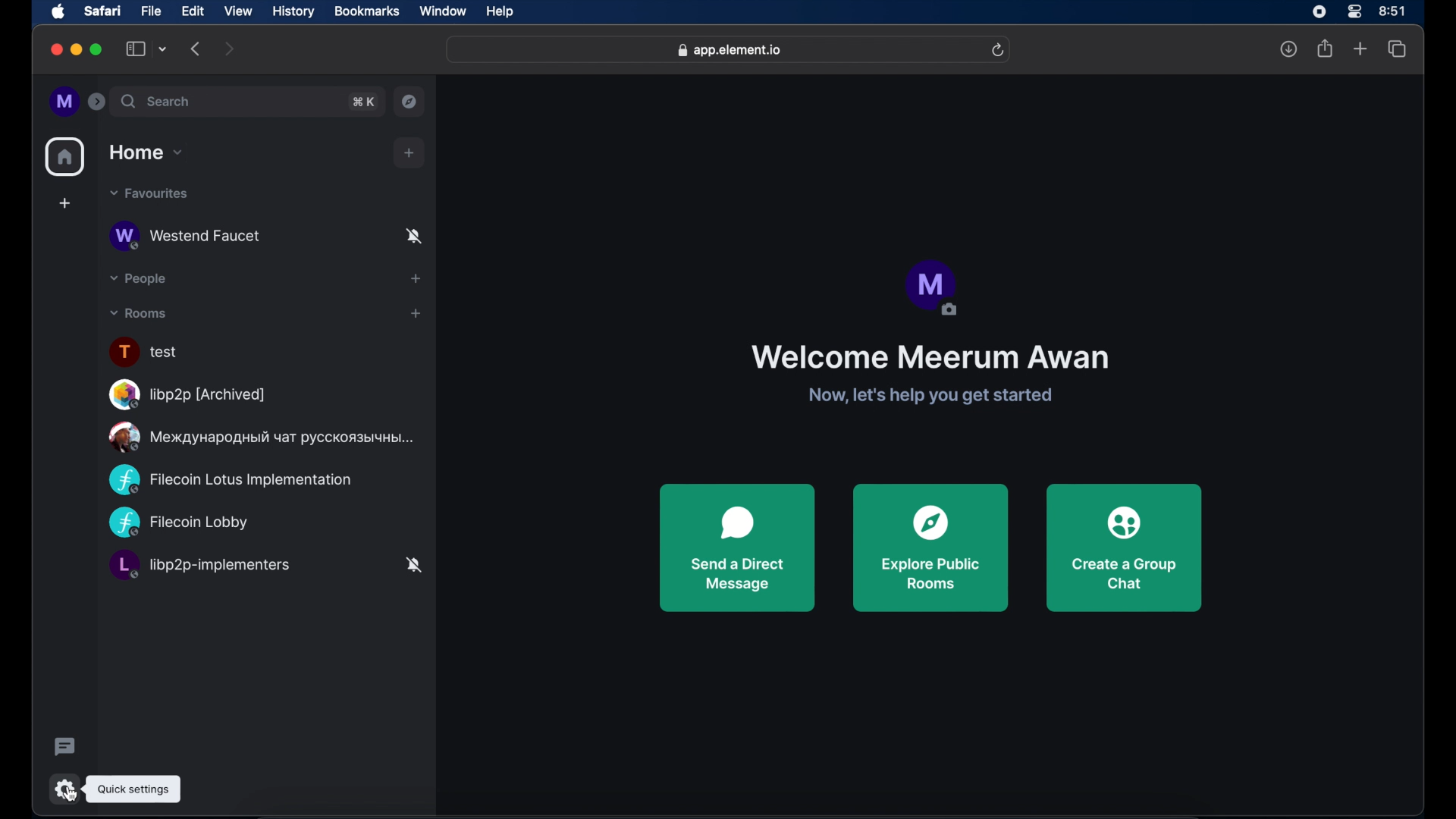  What do you see at coordinates (928, 357) in the screenshot?
I see `welcome meerum awan` at bounding box center [928, 357].